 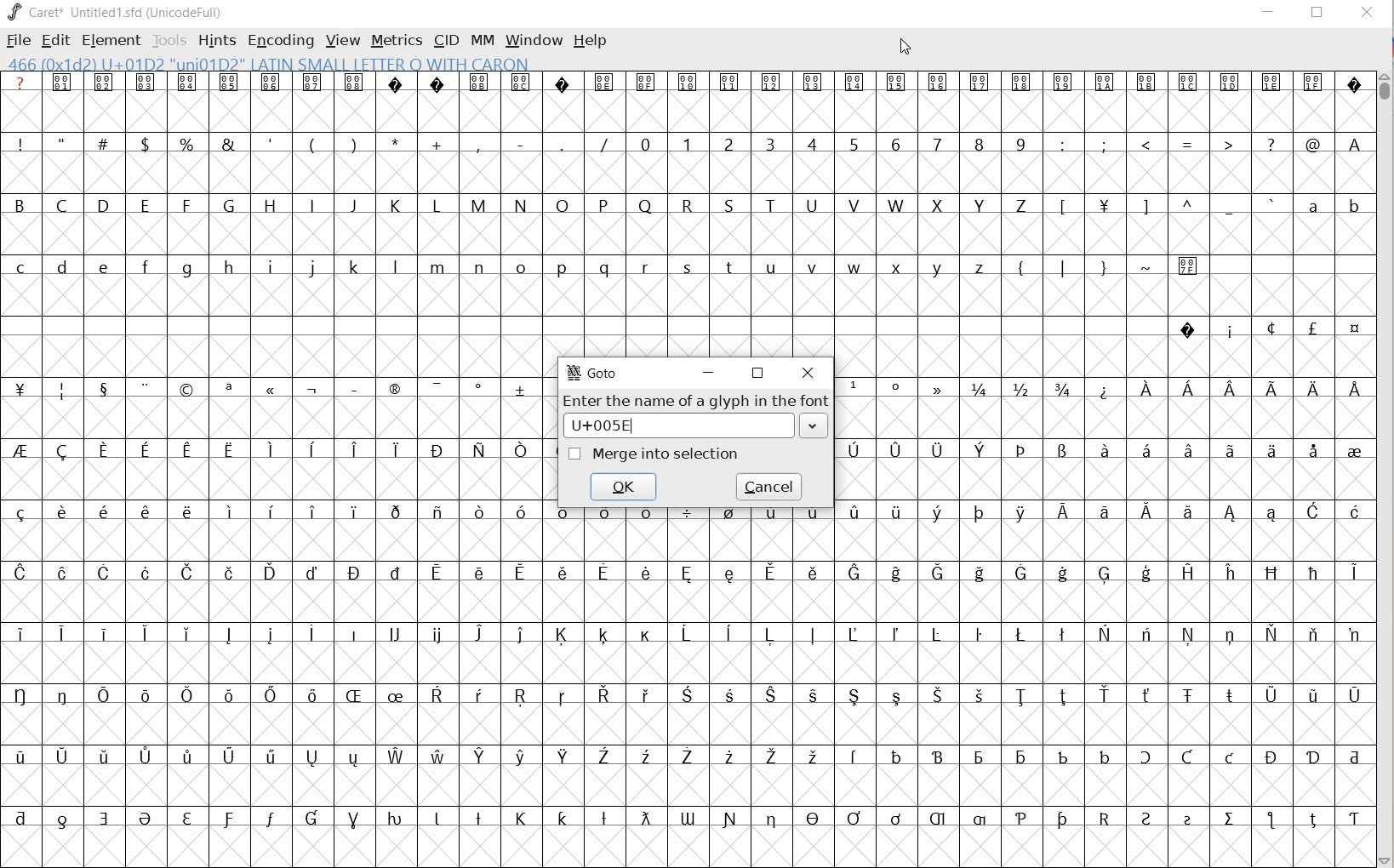 I want to click on HINTS, so click(x=217, y=40).